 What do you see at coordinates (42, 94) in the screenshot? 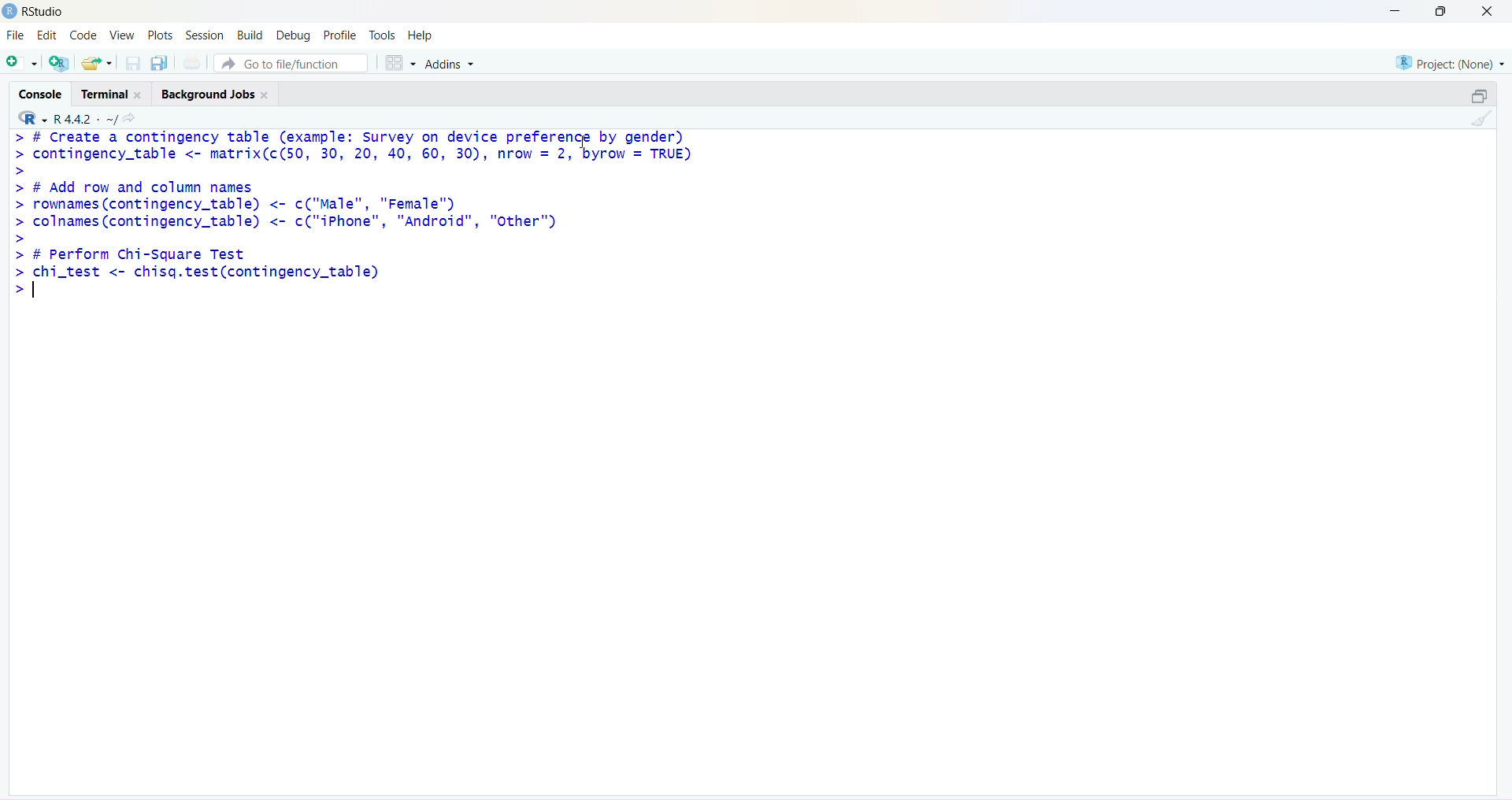
I see `console` at bounding box center [42, 94].